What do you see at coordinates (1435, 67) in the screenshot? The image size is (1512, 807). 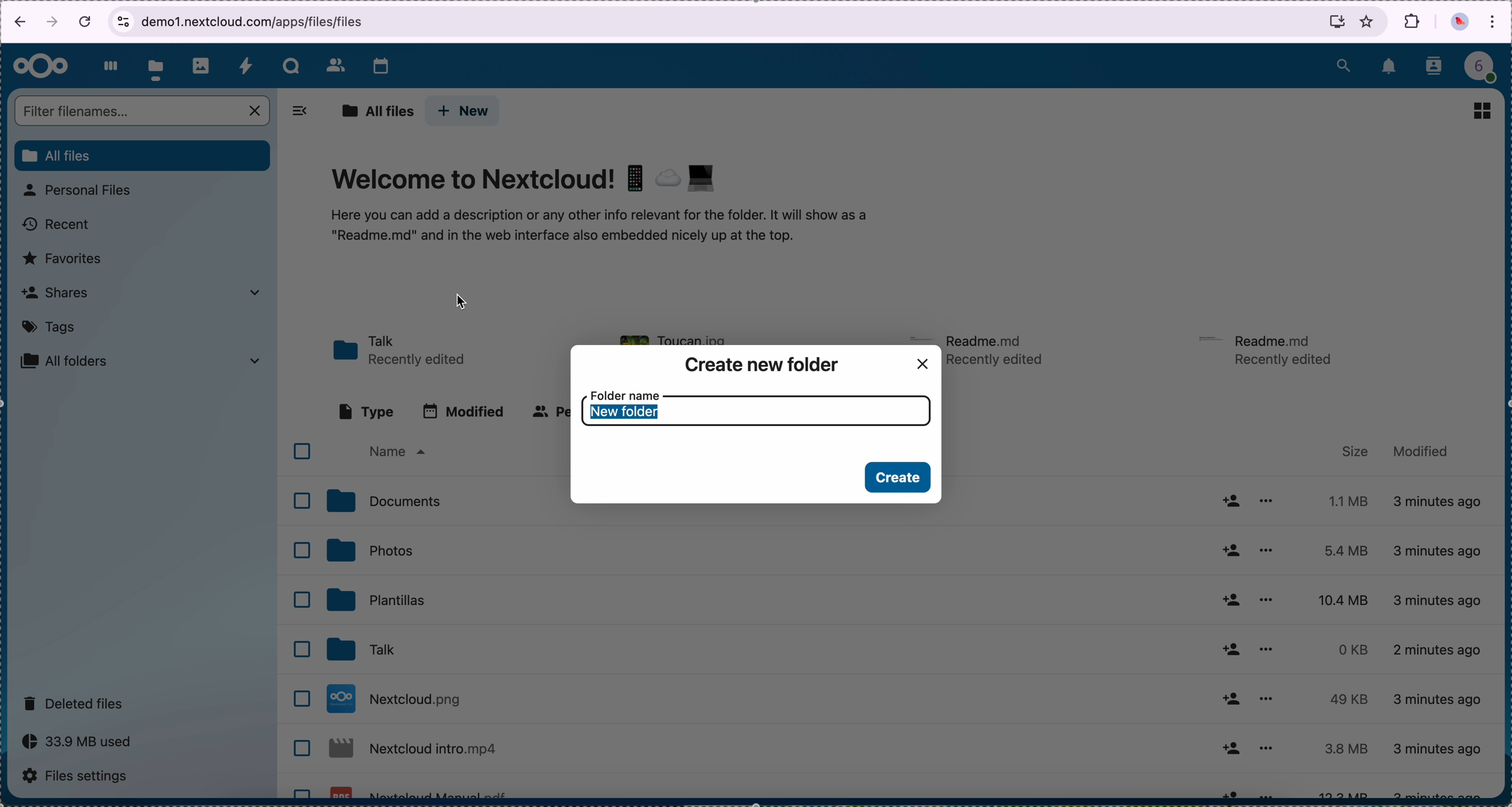 I see `contacts` at bounding box center [1435, 67].